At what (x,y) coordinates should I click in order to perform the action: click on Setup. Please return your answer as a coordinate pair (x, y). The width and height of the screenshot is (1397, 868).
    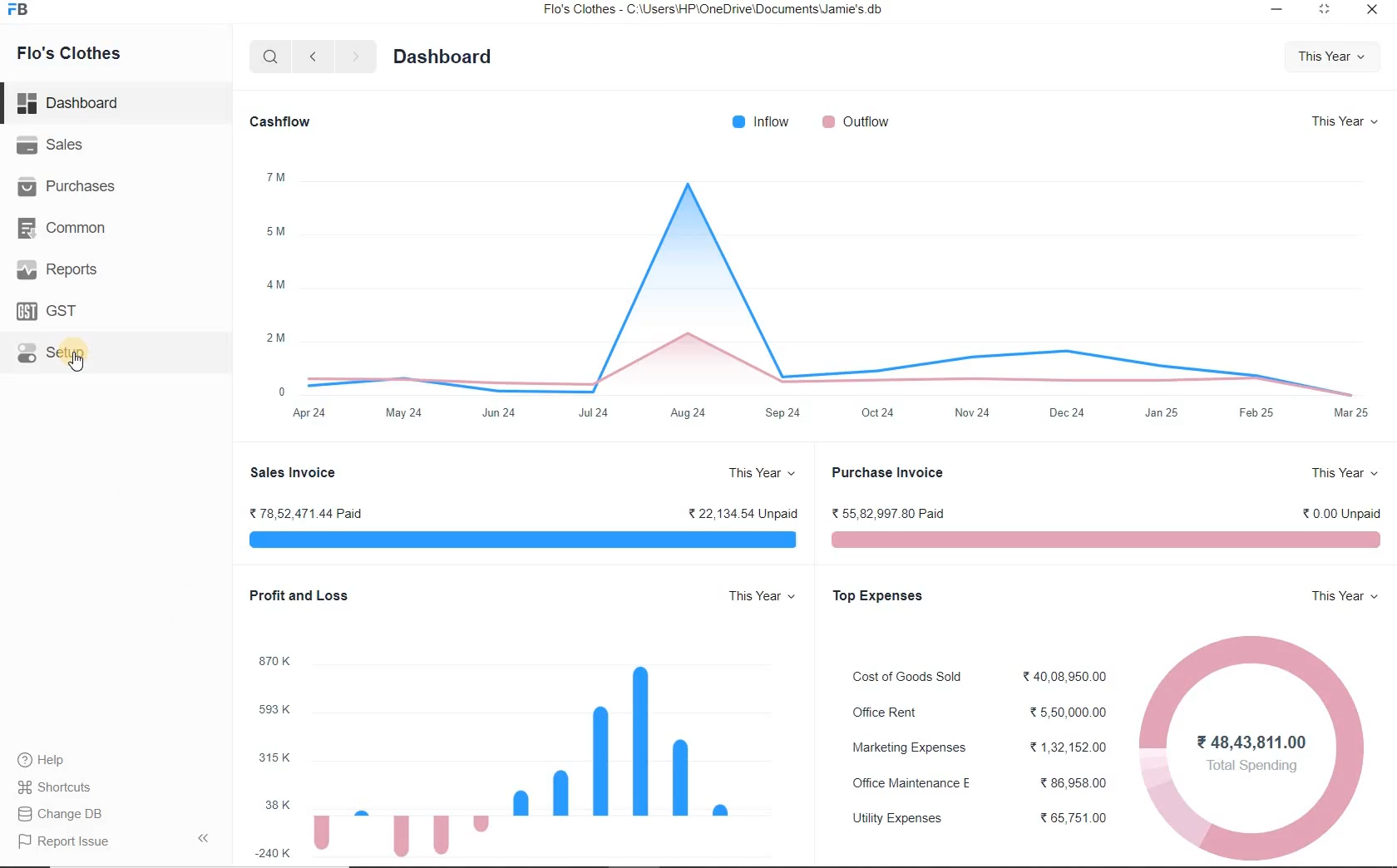
    Looking at the image, I should click on (73, 360).